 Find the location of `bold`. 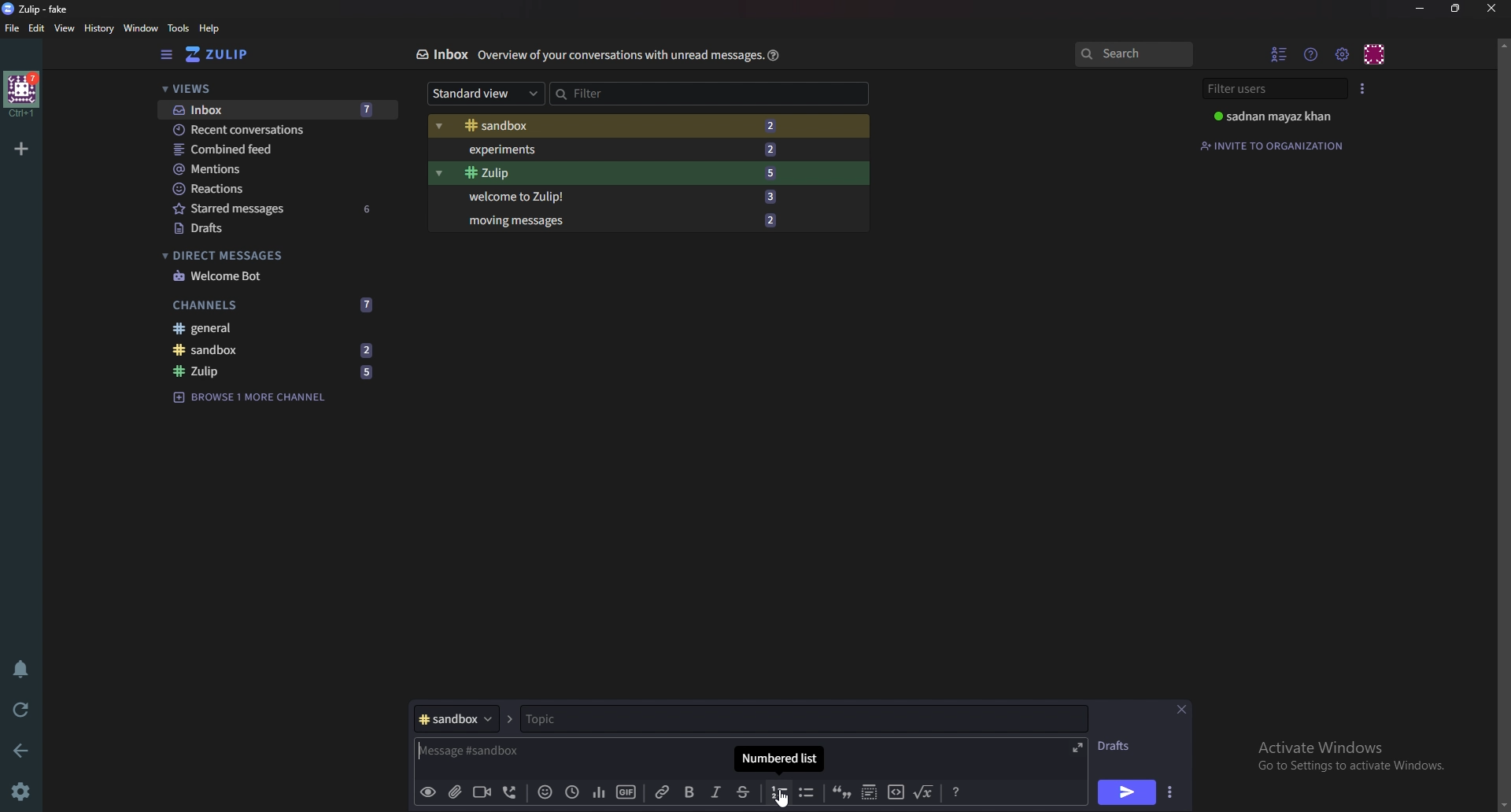

bold is located at coordinates (688, 792).